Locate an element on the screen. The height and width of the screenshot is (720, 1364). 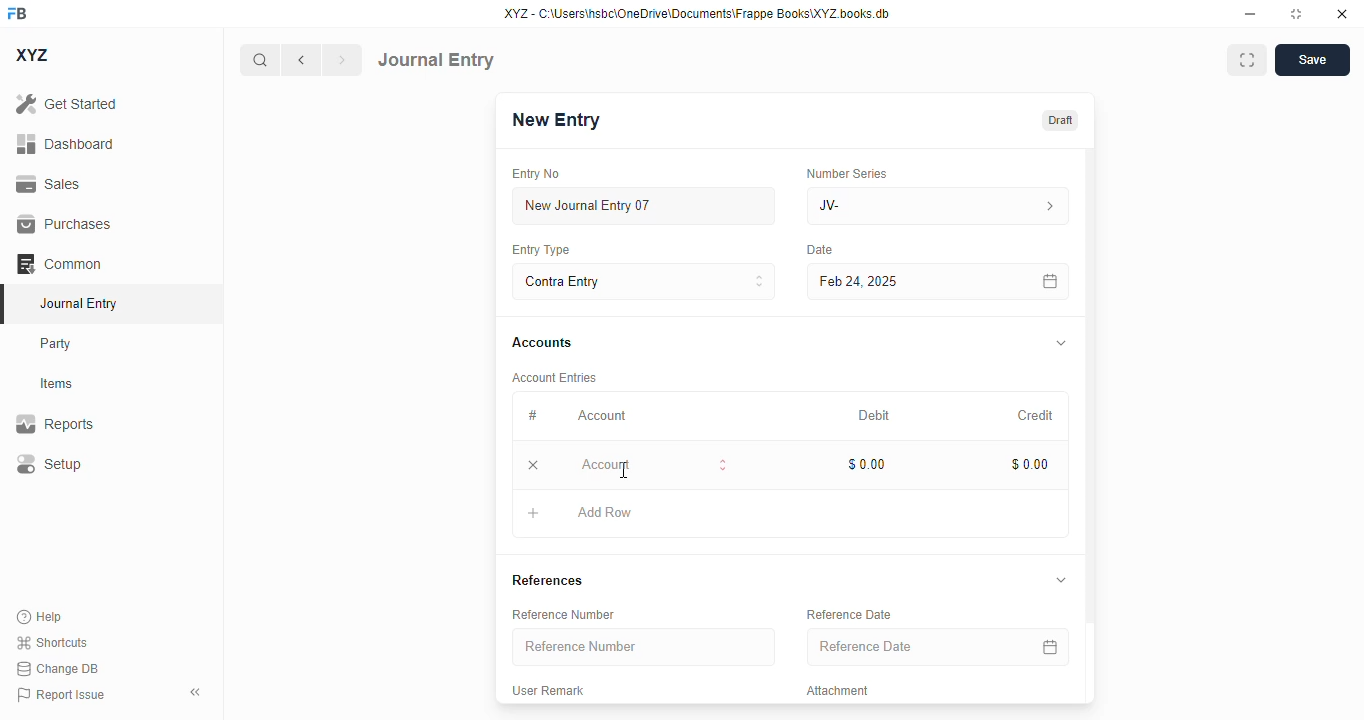
cursor is located at coordinates (625, 470).